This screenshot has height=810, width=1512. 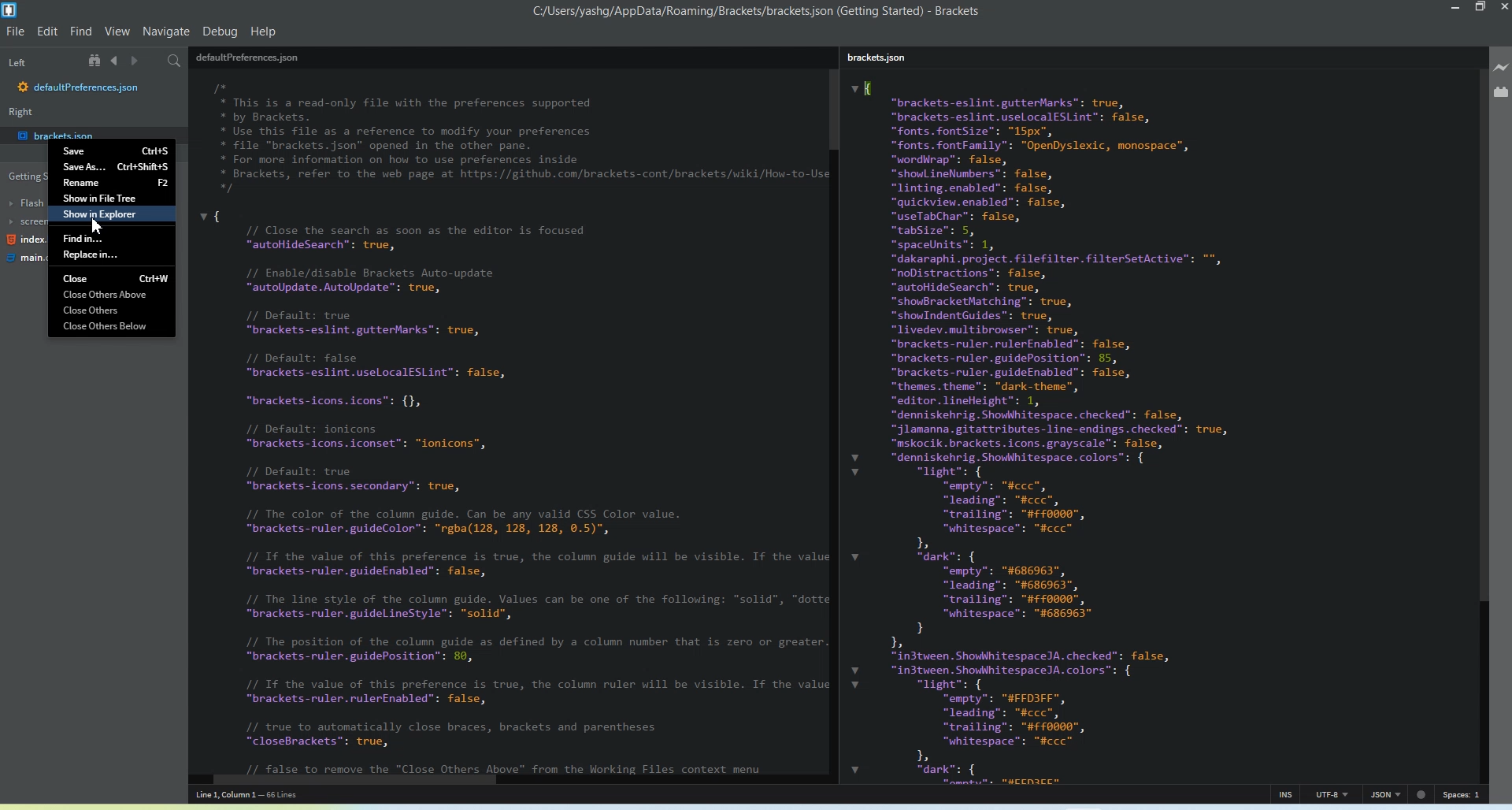 What do you see at coordinates (111, 325) in the screenshot?
I see `Close Others Below` at bounding box center [111, 325].